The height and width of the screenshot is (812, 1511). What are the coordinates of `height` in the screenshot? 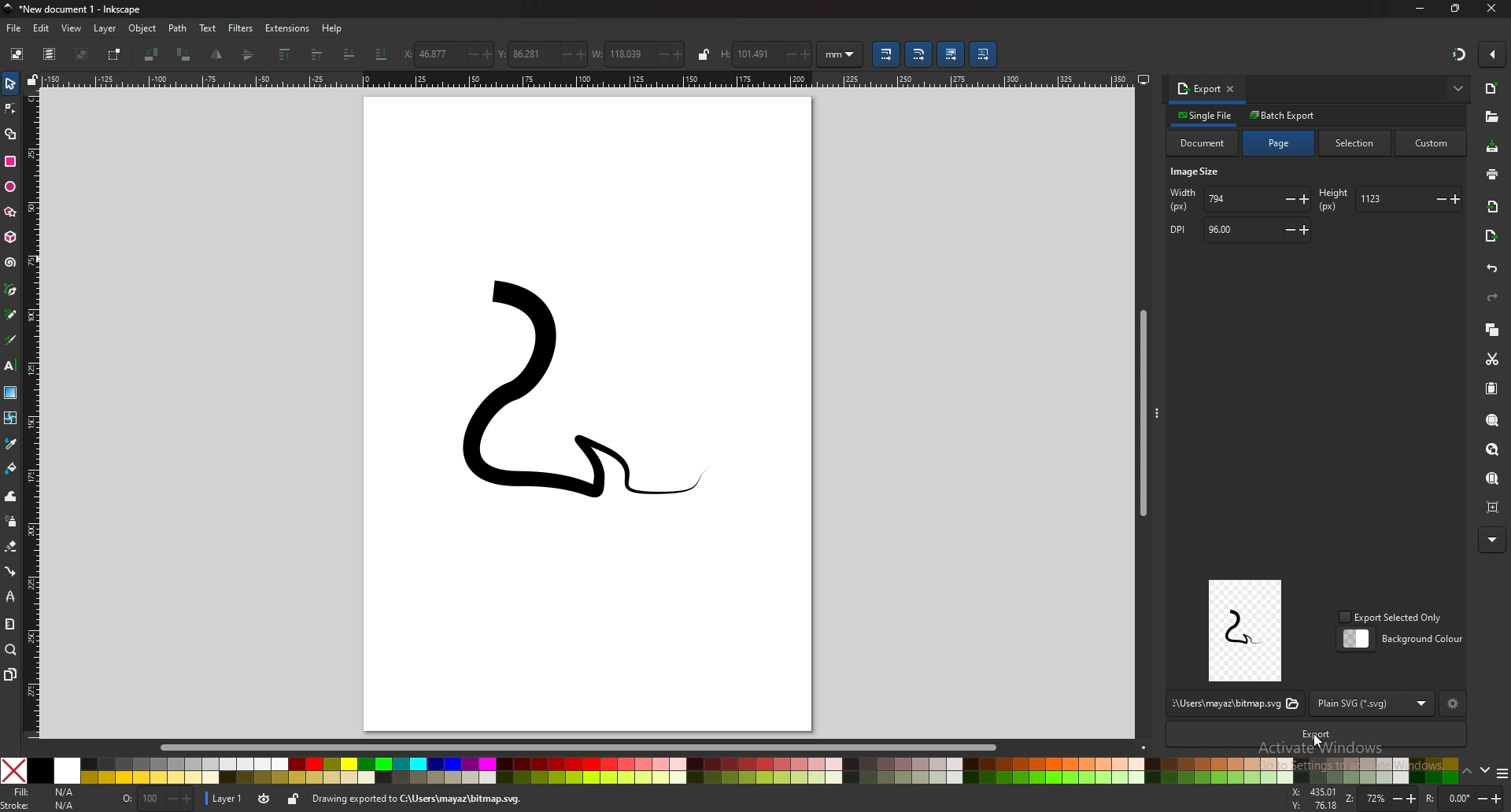 It's located at (1388, 199).